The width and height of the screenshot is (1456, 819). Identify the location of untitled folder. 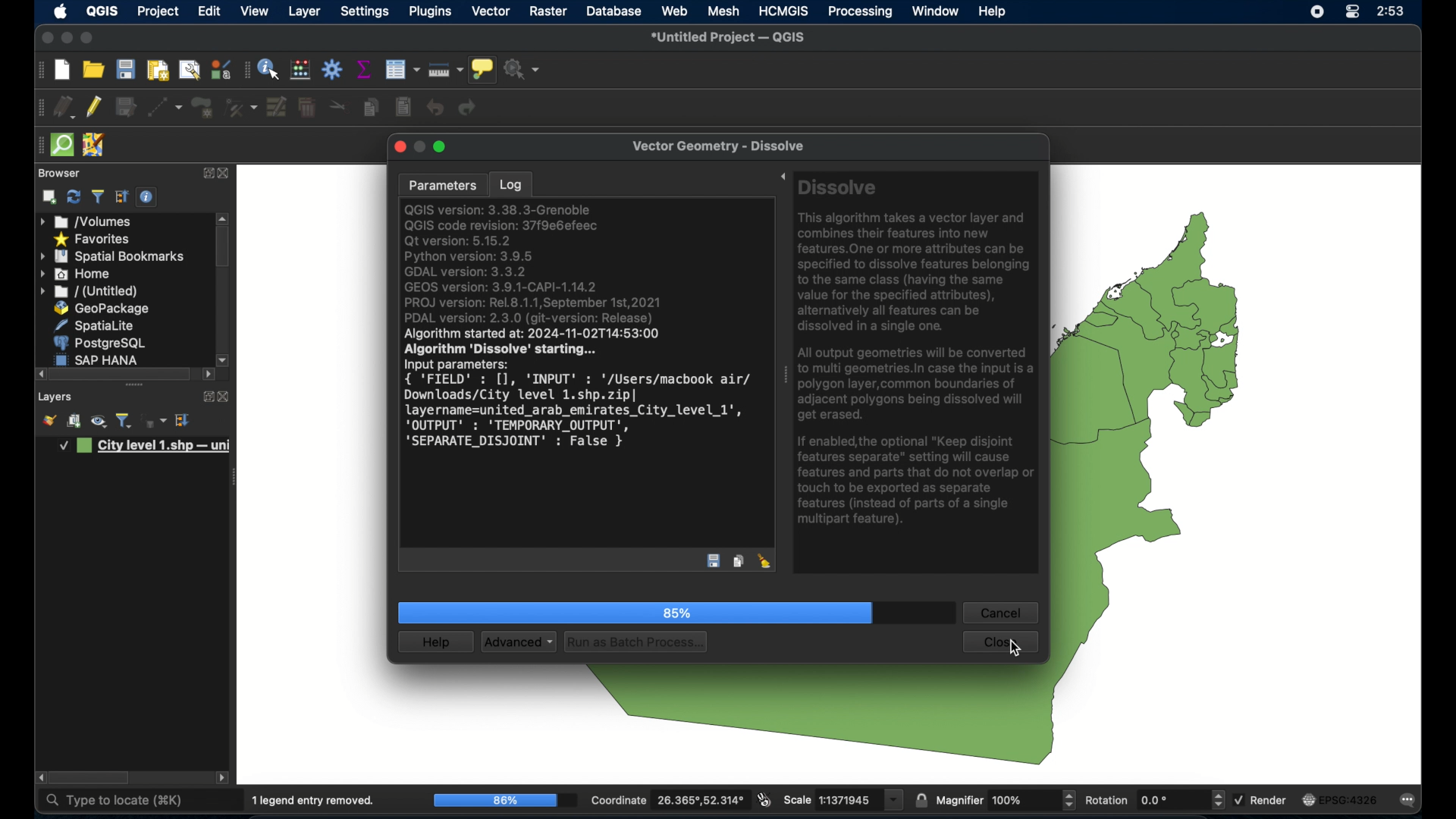
(91, 292).